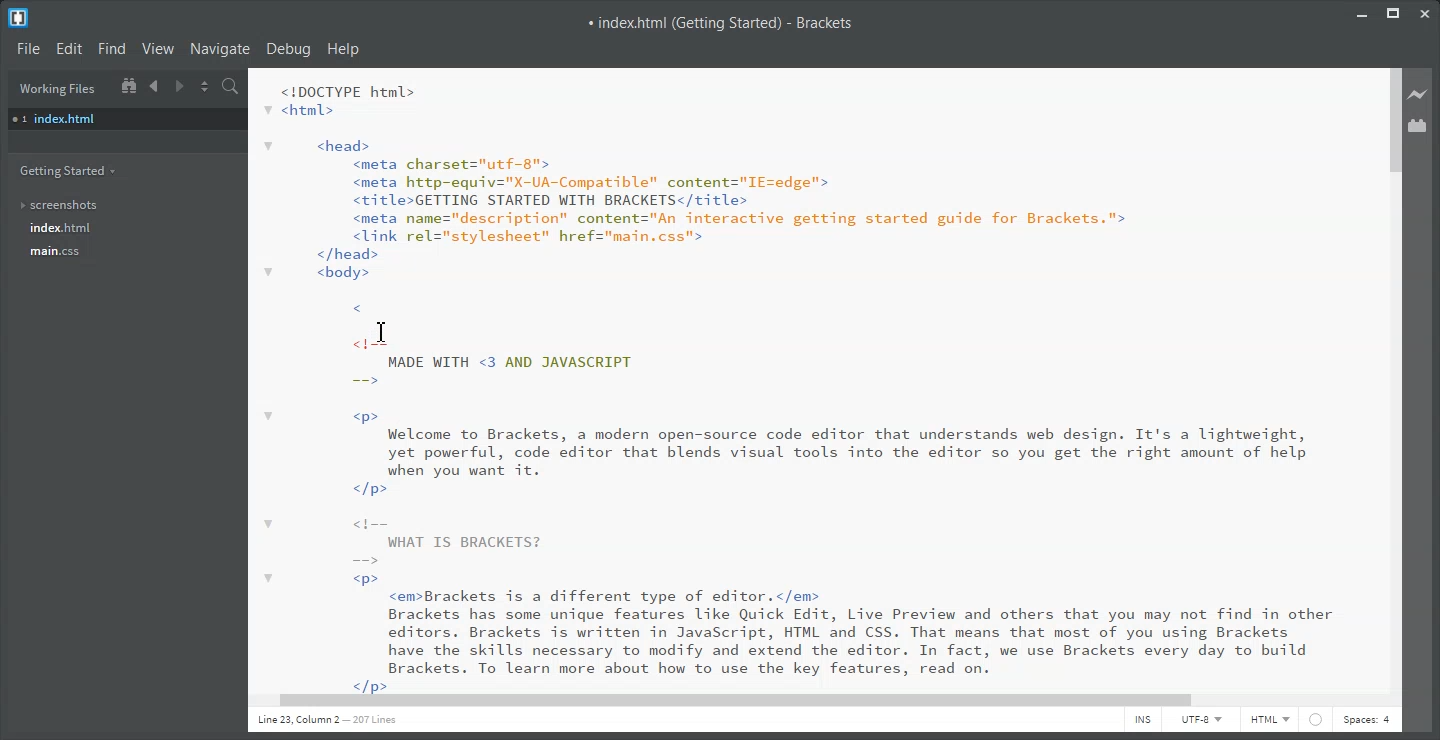 The height and width of the screenshot is (740, 1440). Describe the element at coordinates (231, 87) in the screenshot. I see `Find In files` at that location.